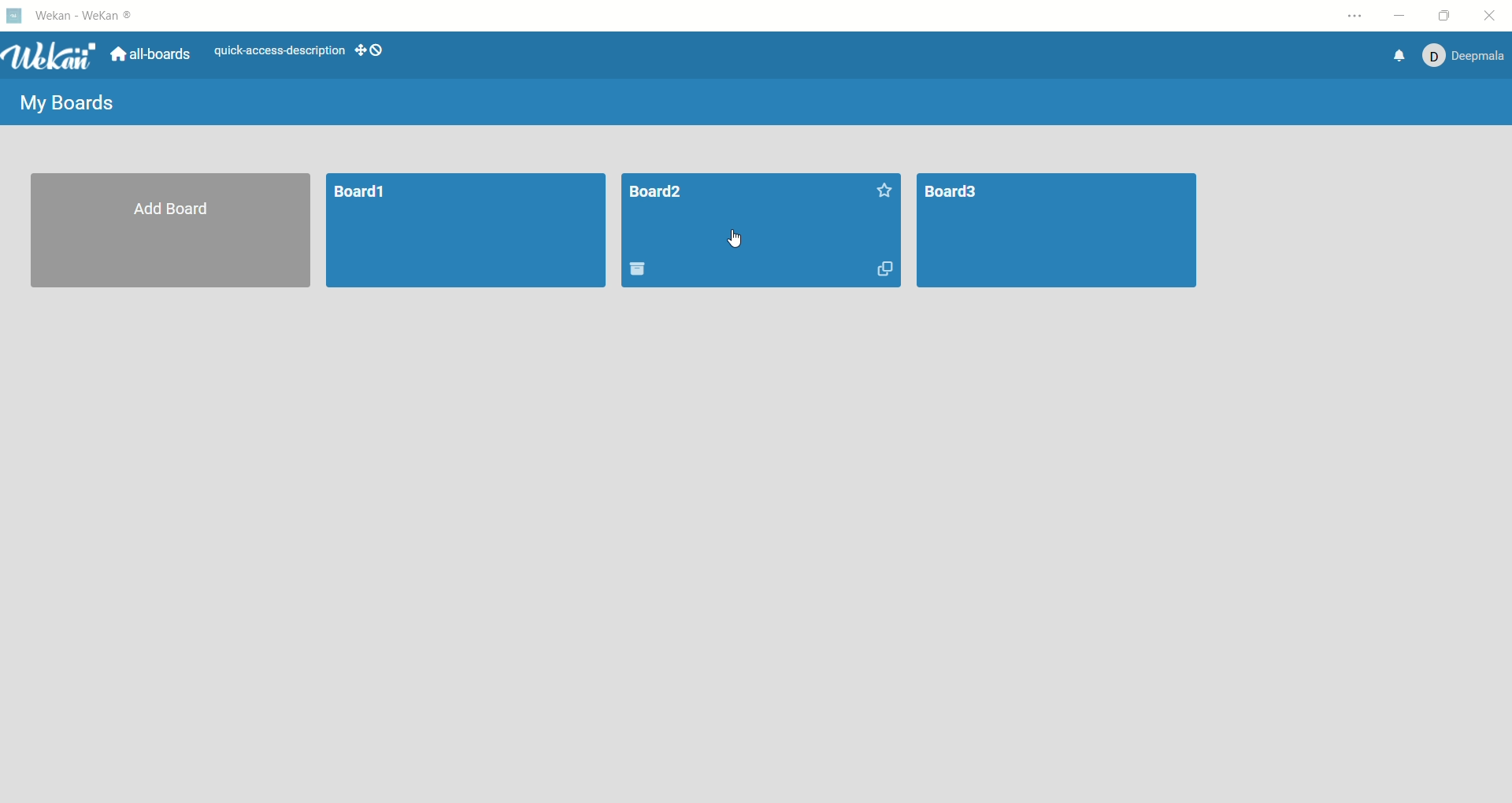 This screenshot has height=803, width=1512. Describe the element at coordinates (1061, 233) in the screenshot. I see `board3` at that location.